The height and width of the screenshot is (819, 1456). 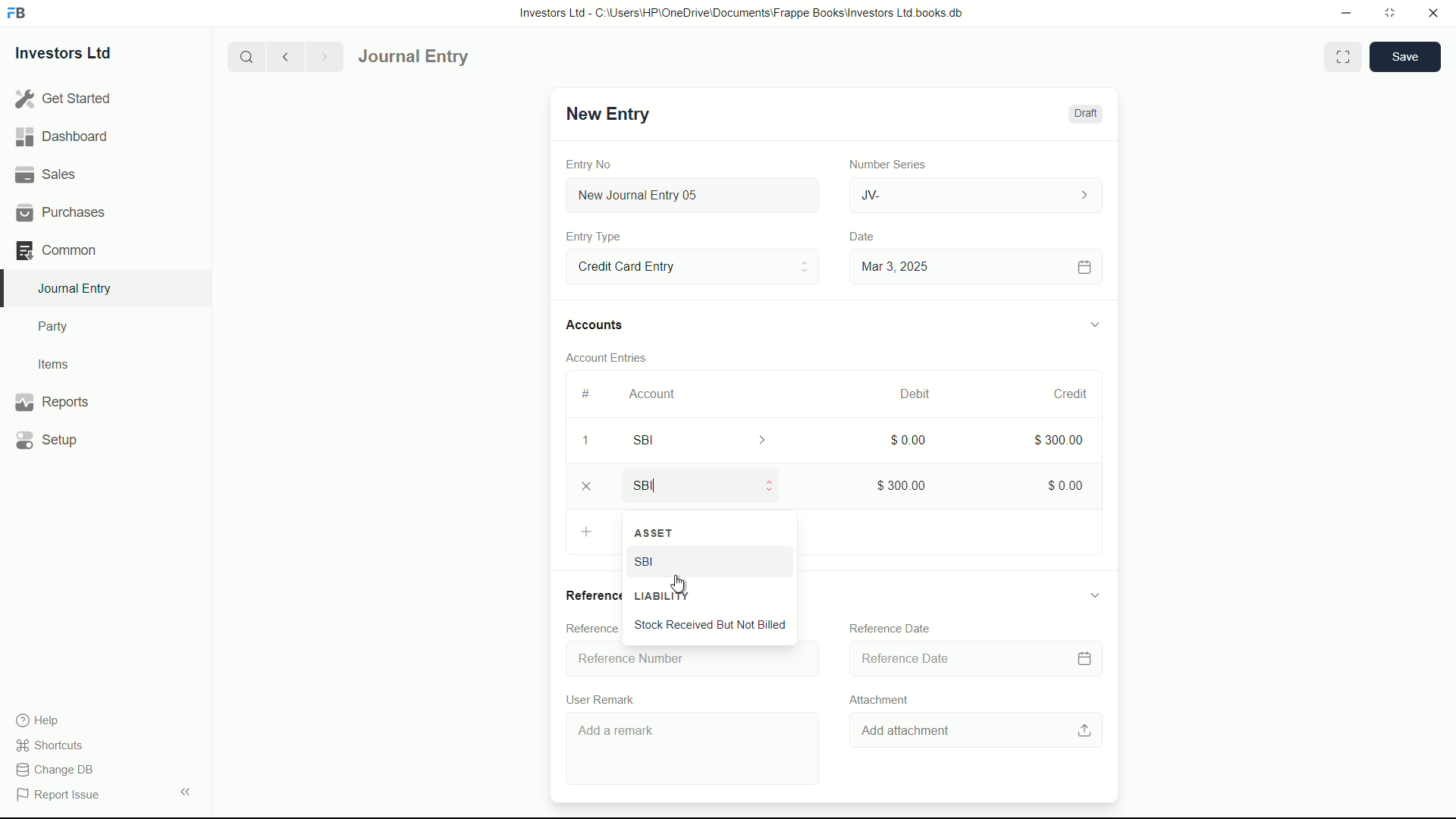 What do you see at coordinates (1014, 440) in the screenshot?
I see `300` at bounding box center [1014, 440].